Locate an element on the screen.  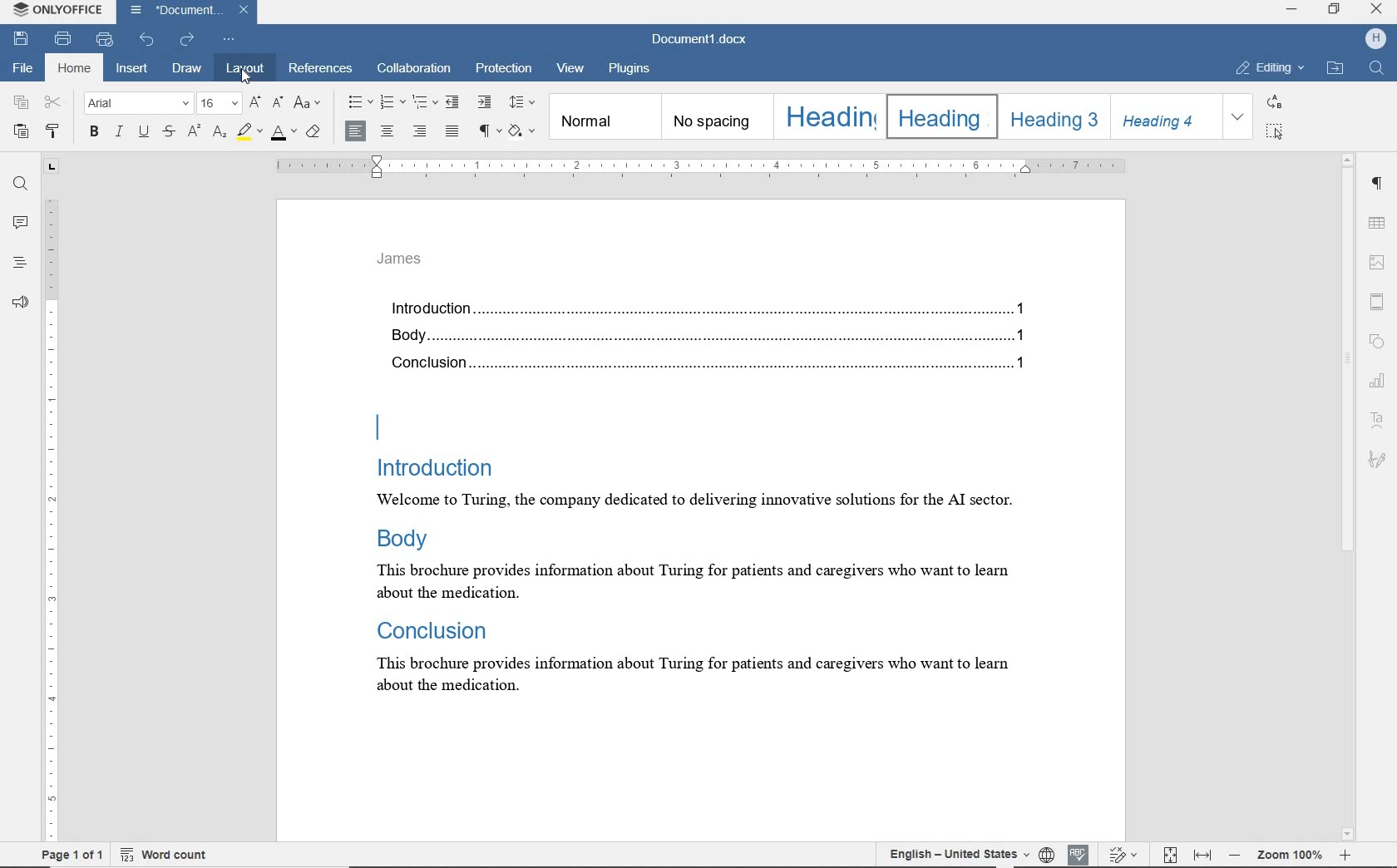
NO SPACING is located at coordinates (715, 116).